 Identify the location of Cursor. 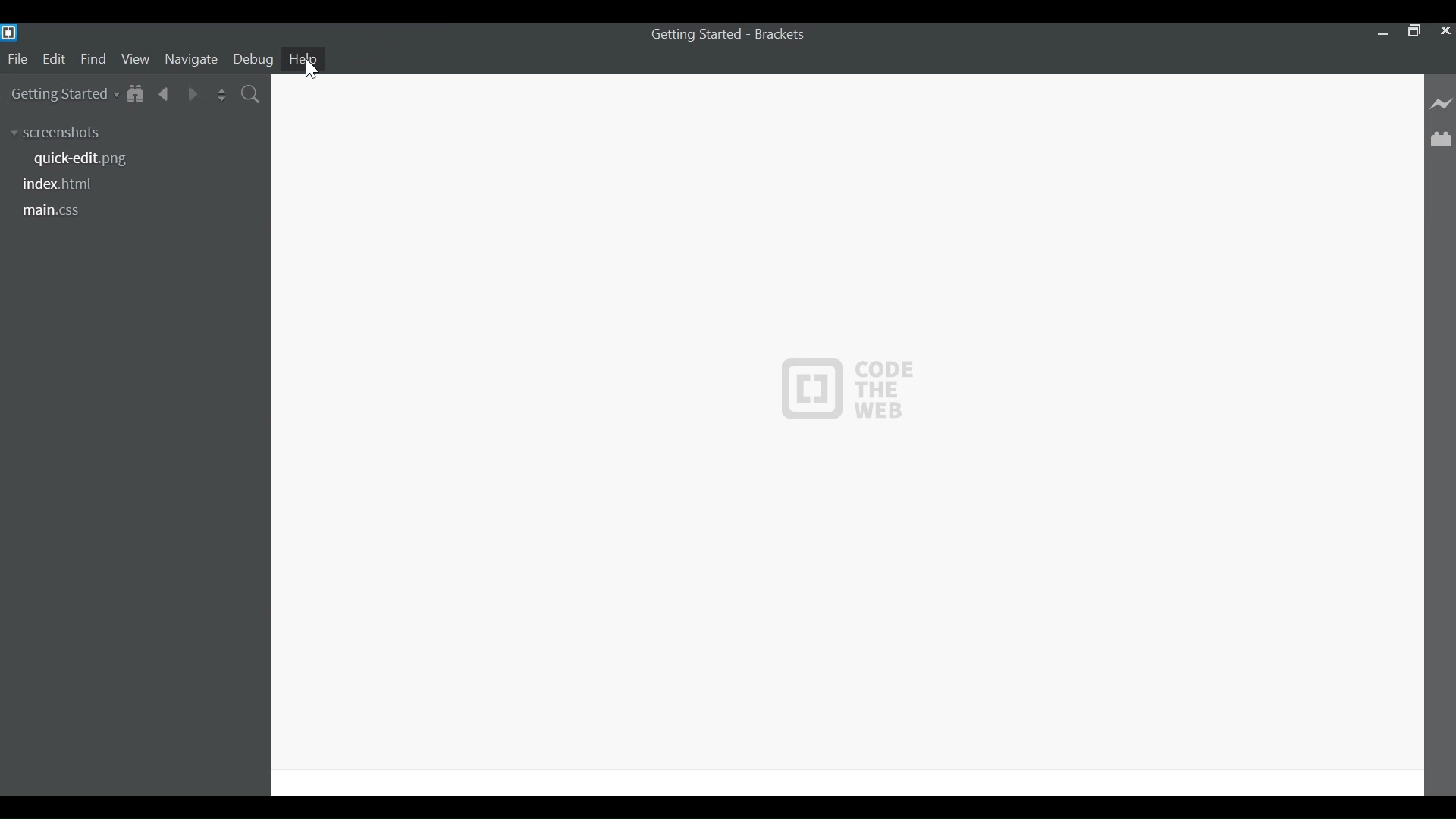
(312, 71).